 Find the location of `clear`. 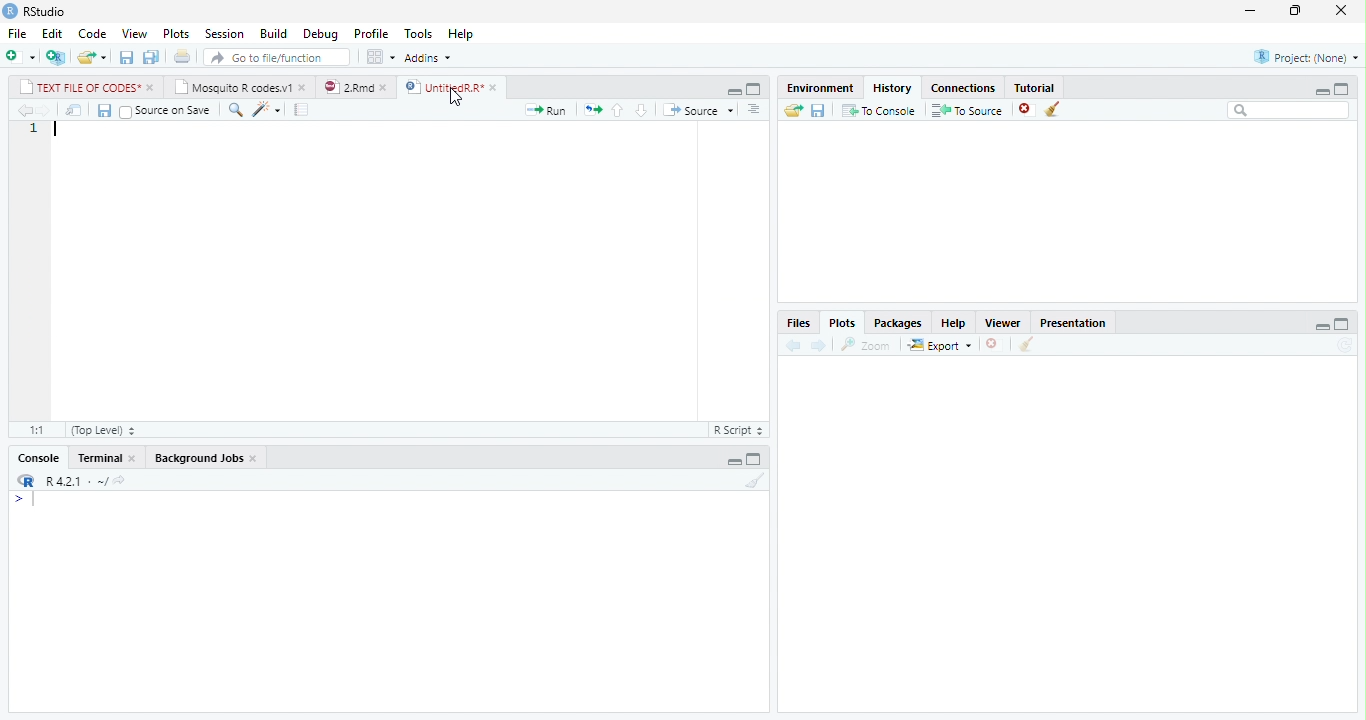

clear is located at coordinates (756, 480).